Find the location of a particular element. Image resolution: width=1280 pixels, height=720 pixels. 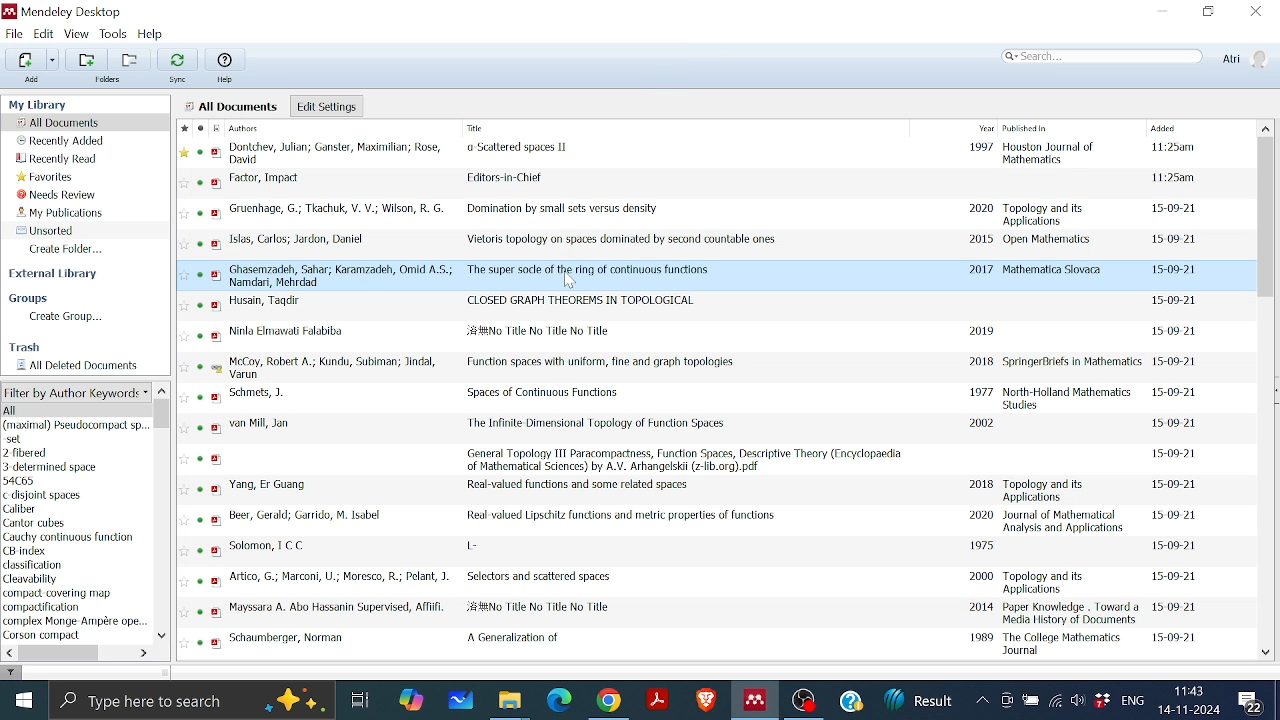

Scattered Spaces II is located at coordinates (706, 152).